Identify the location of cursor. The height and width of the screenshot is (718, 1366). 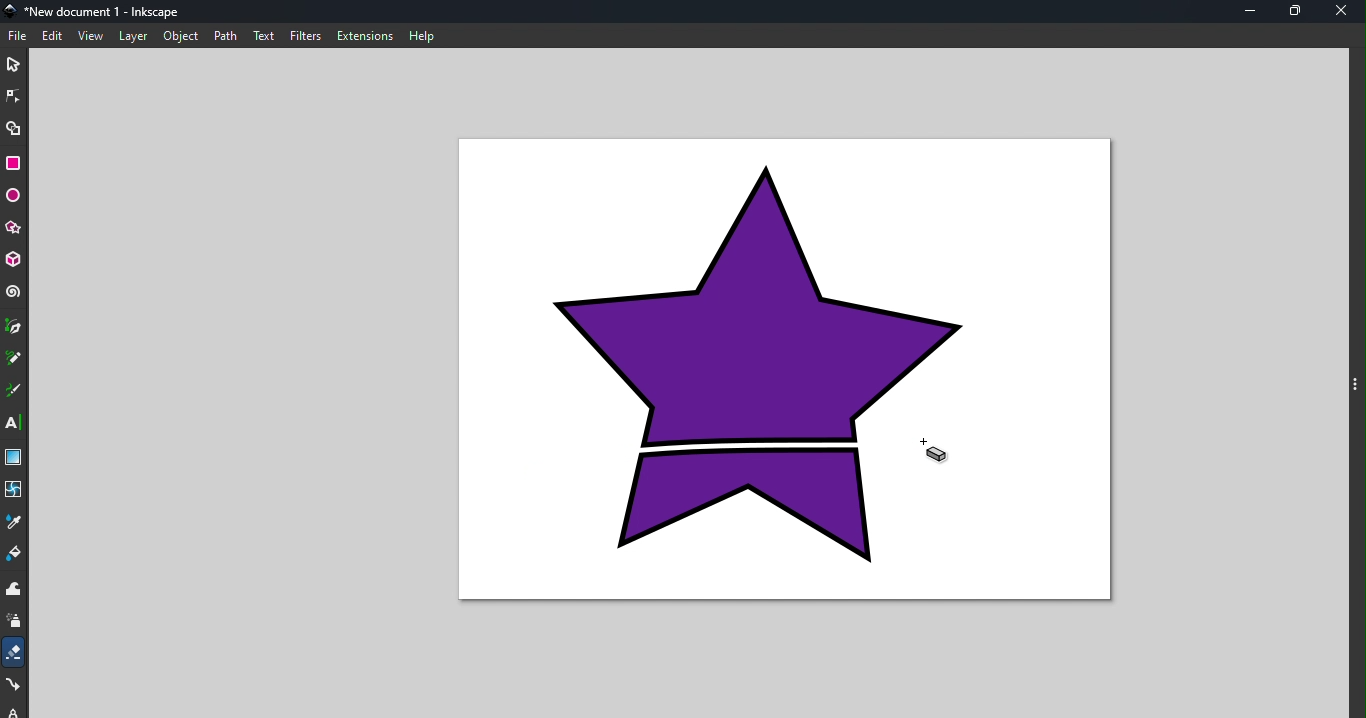
(936, 451).